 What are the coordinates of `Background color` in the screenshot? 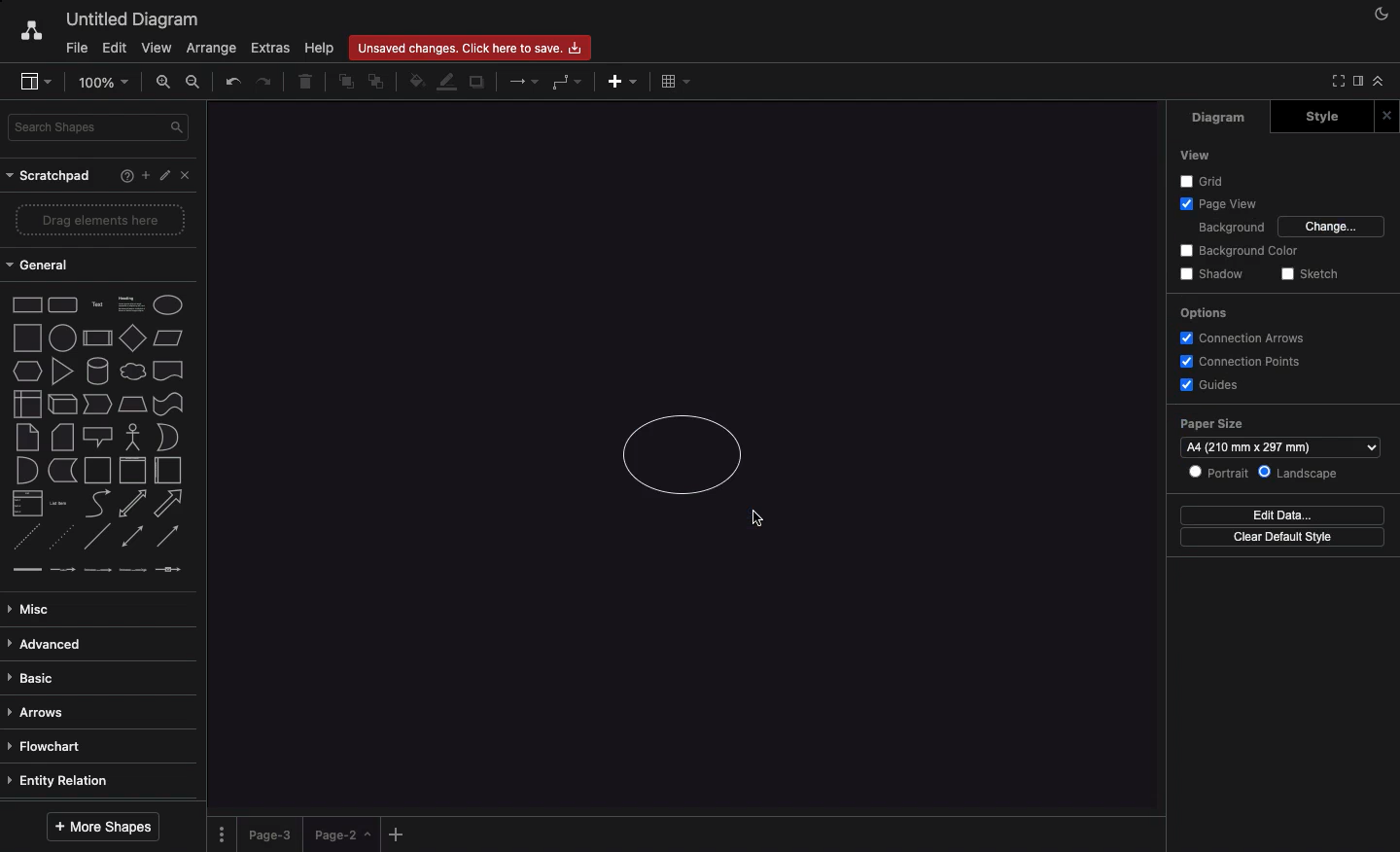 It's located at (1238, 250).